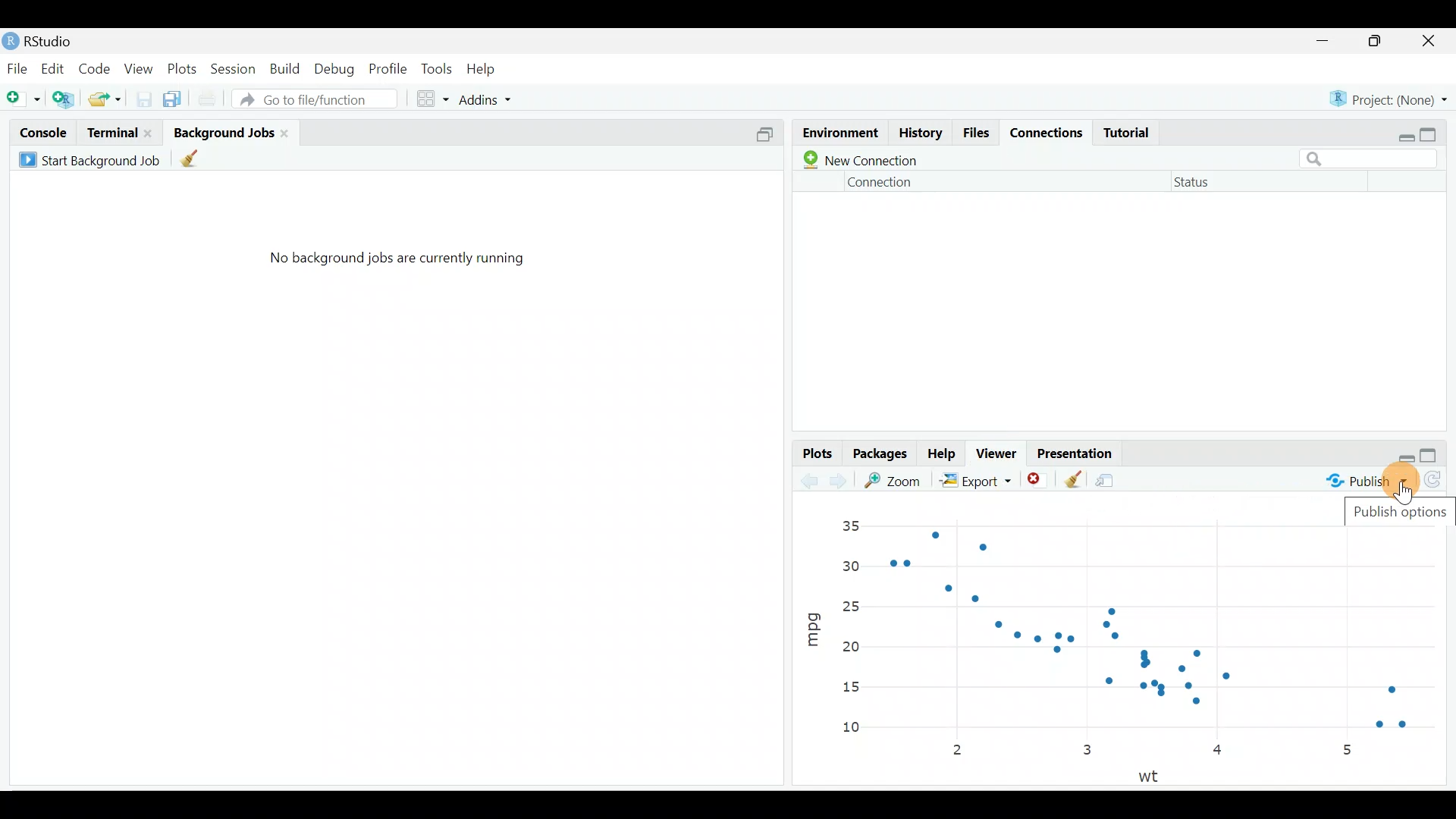  What do you see at coordinates (1196, 185) in the screenshot?
I see `Status` at bounding box center [1196, 185].